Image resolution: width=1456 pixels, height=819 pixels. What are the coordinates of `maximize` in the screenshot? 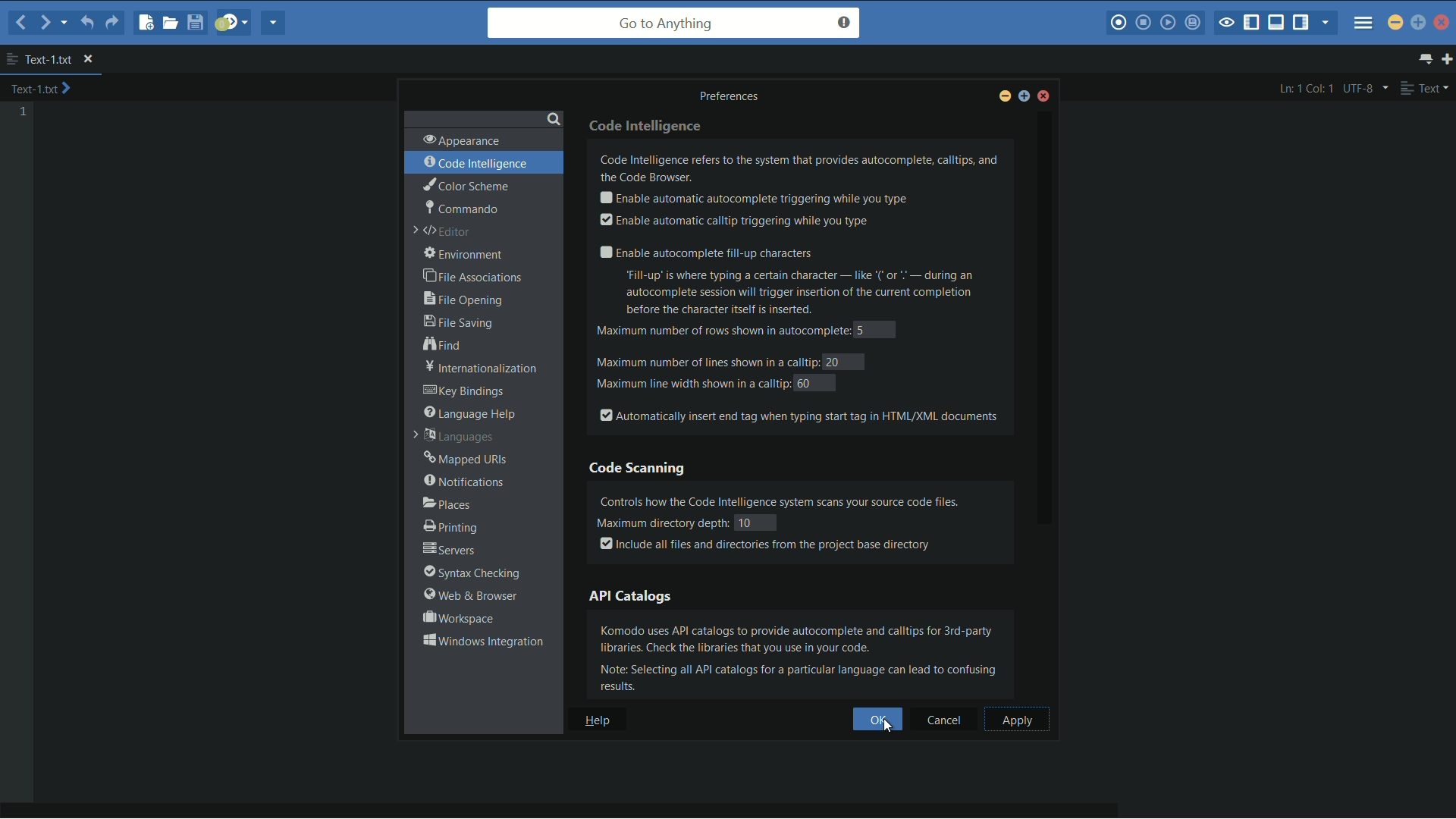 It's located at (1418, 22).